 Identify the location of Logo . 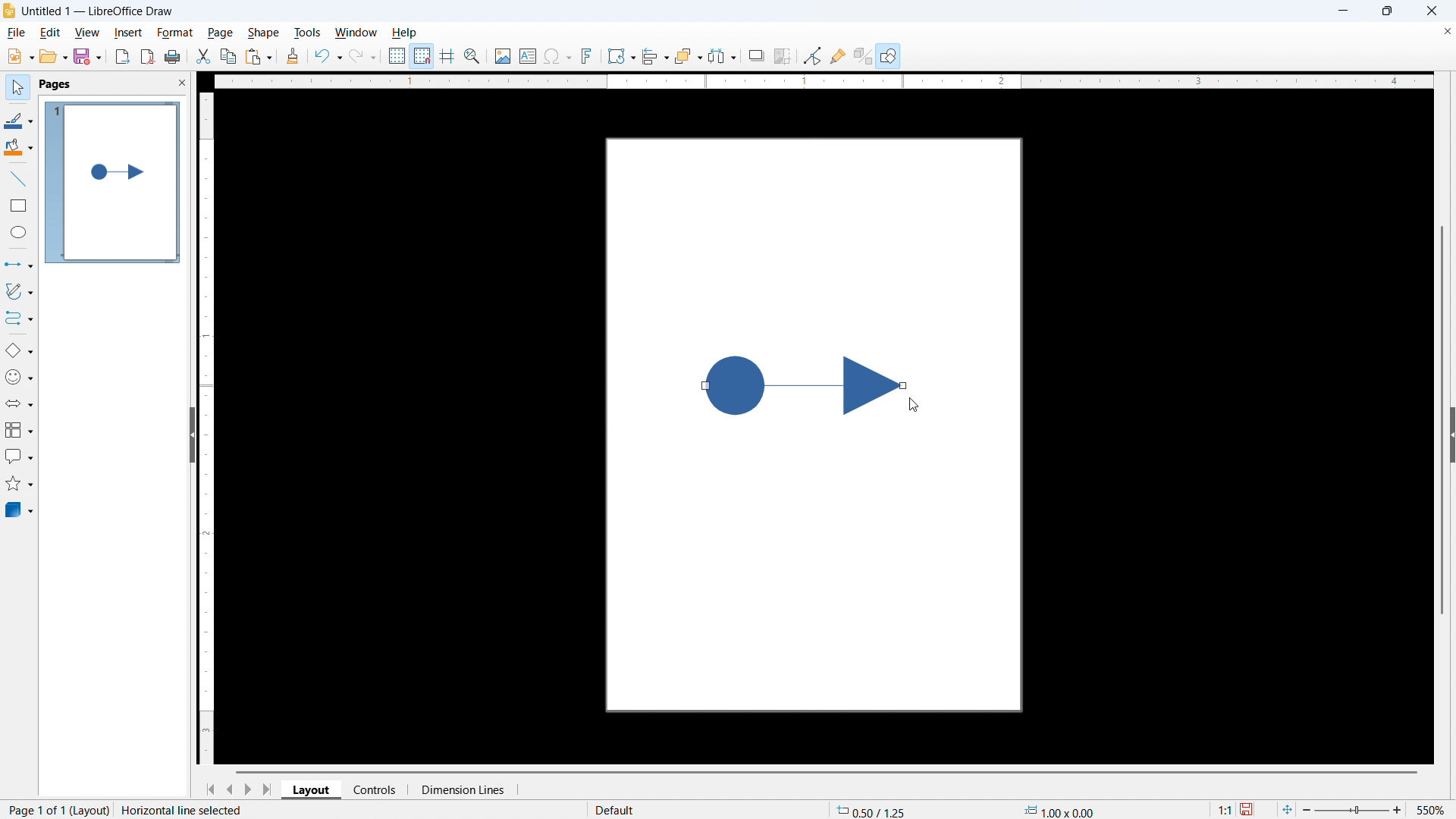
(10, 11).